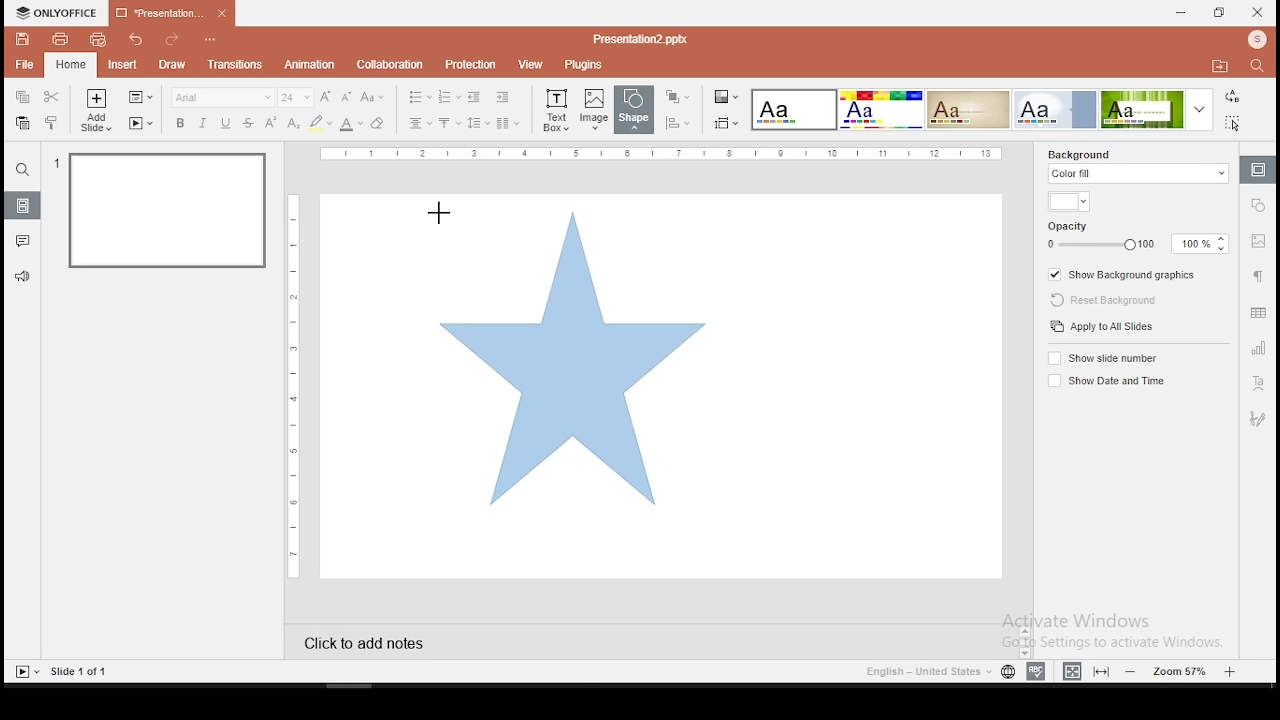  I want to click on click to add notes, so click(382, 641).